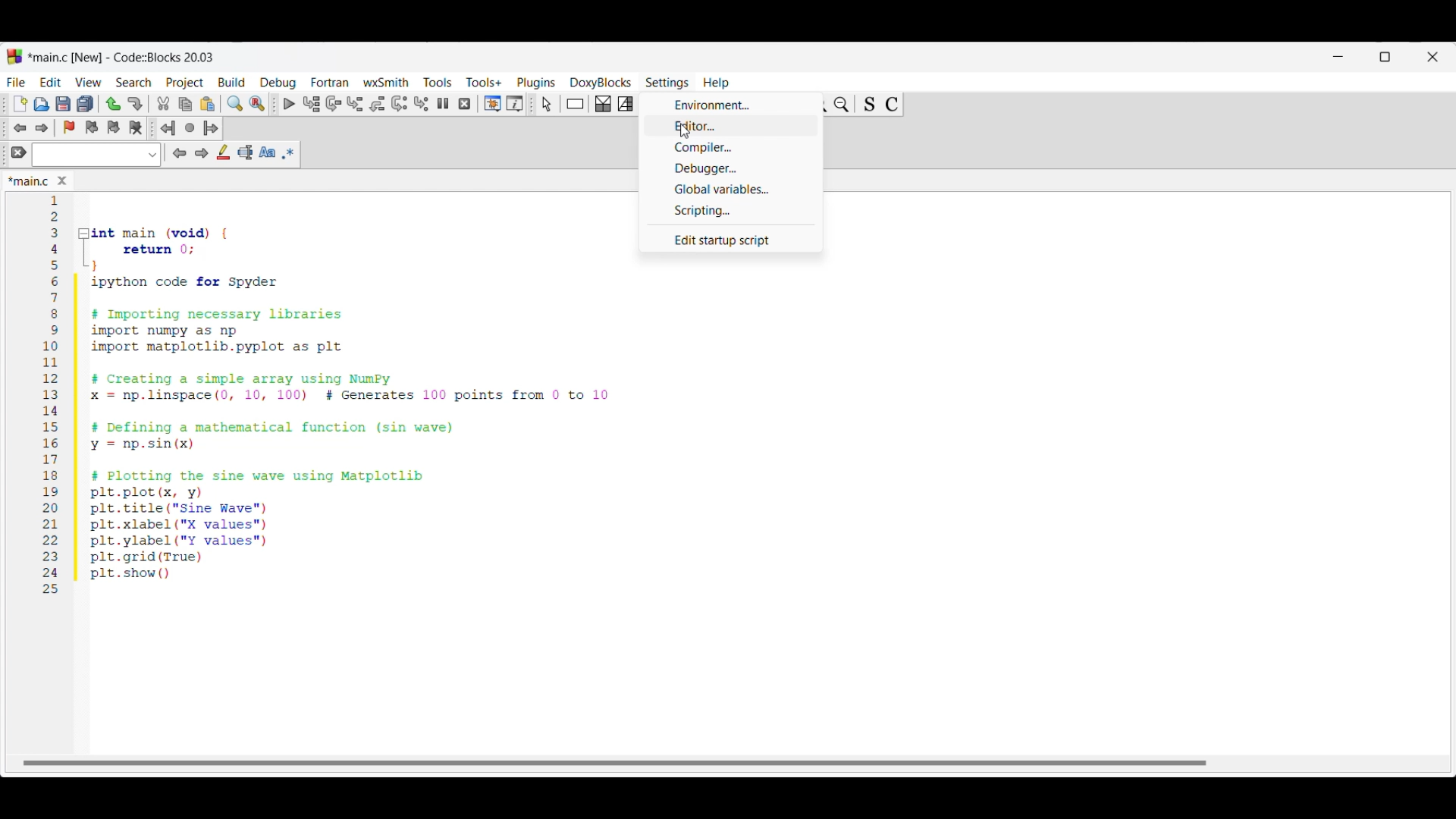 This screenshot has width=1456, height=819. I want to click on Fortran menu , so click(330, 82).